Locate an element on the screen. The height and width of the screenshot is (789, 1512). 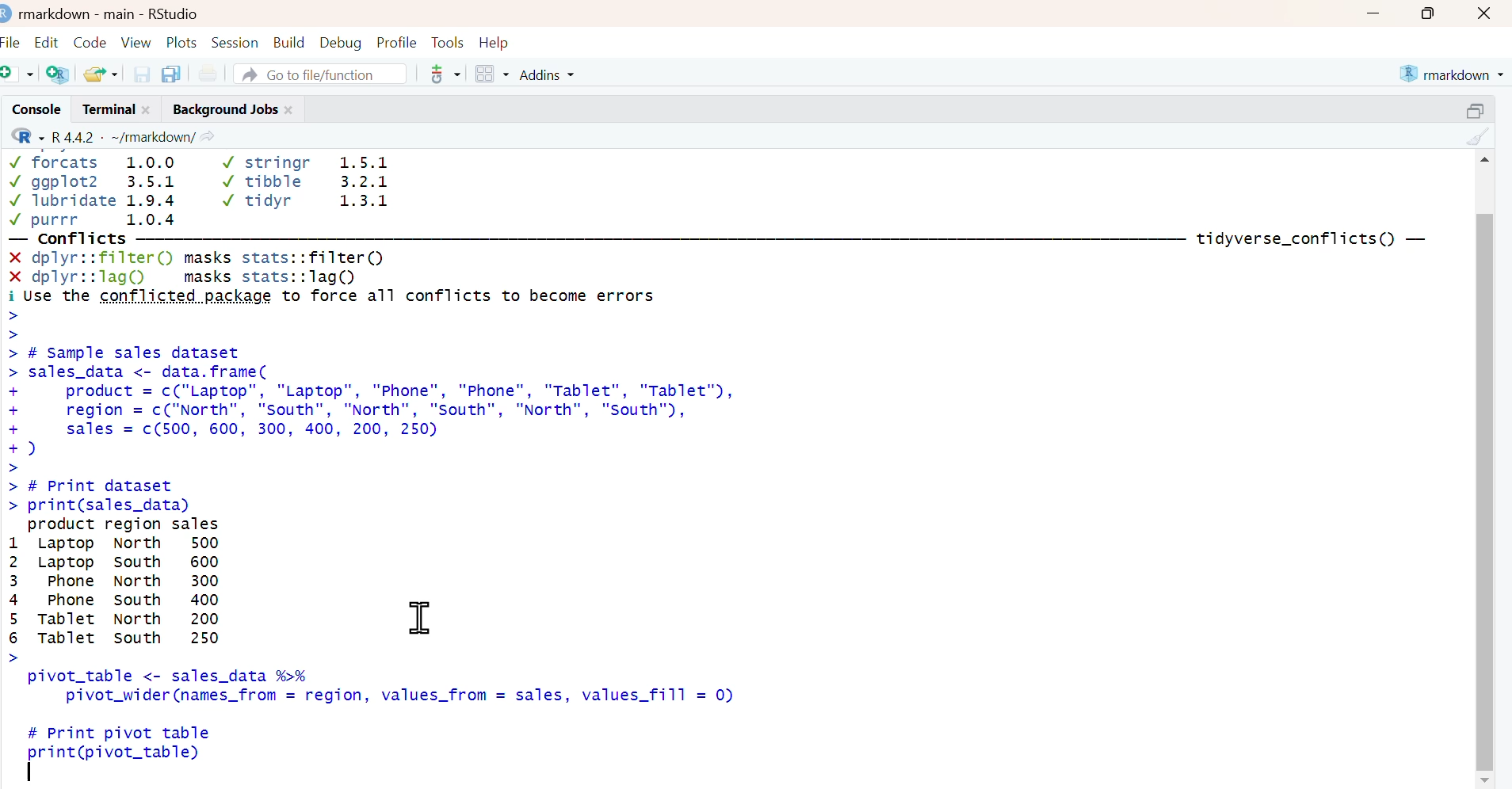
Tools is located at coordinates (447, 40).